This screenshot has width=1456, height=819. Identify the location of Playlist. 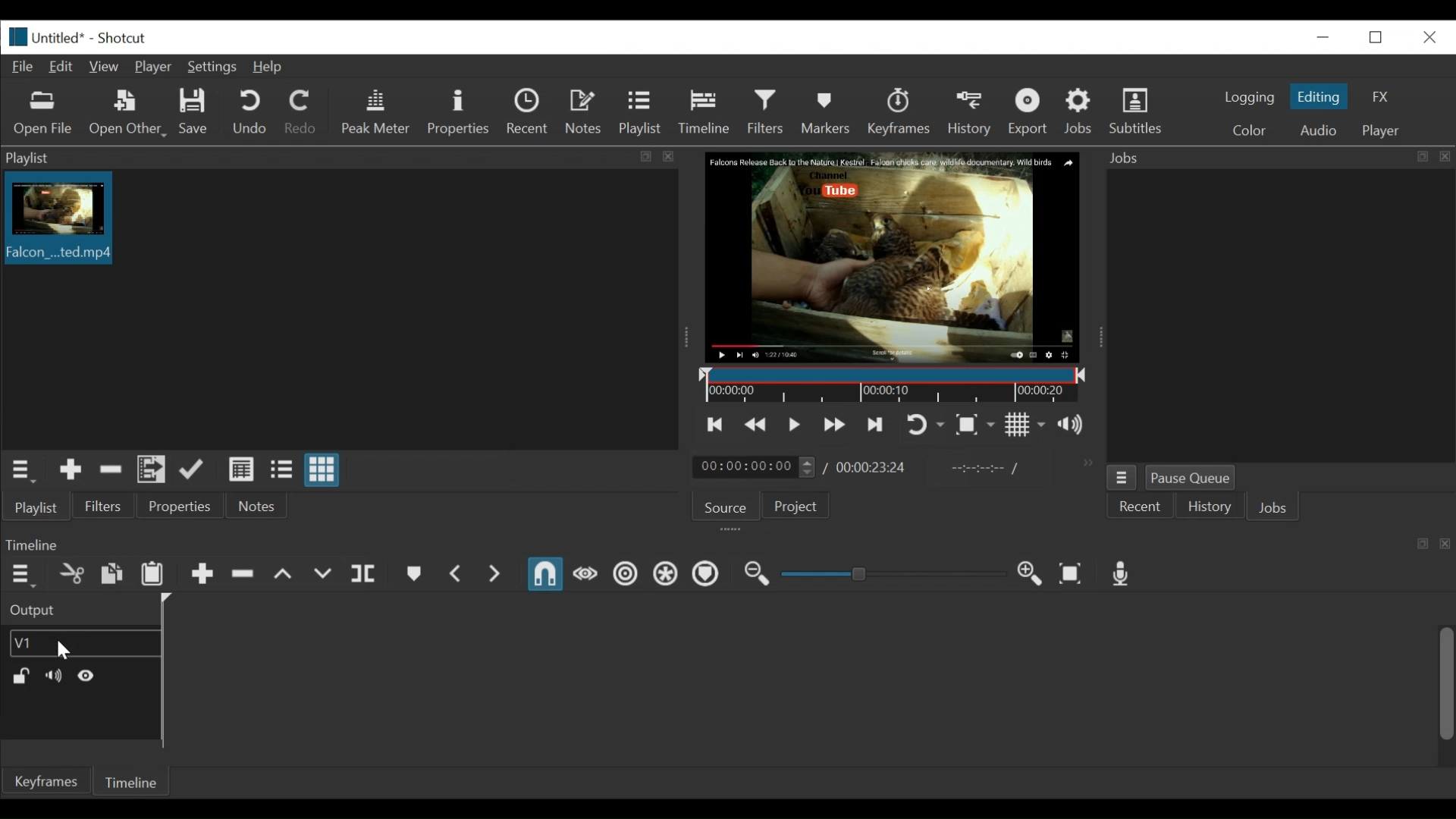
(644, 115).